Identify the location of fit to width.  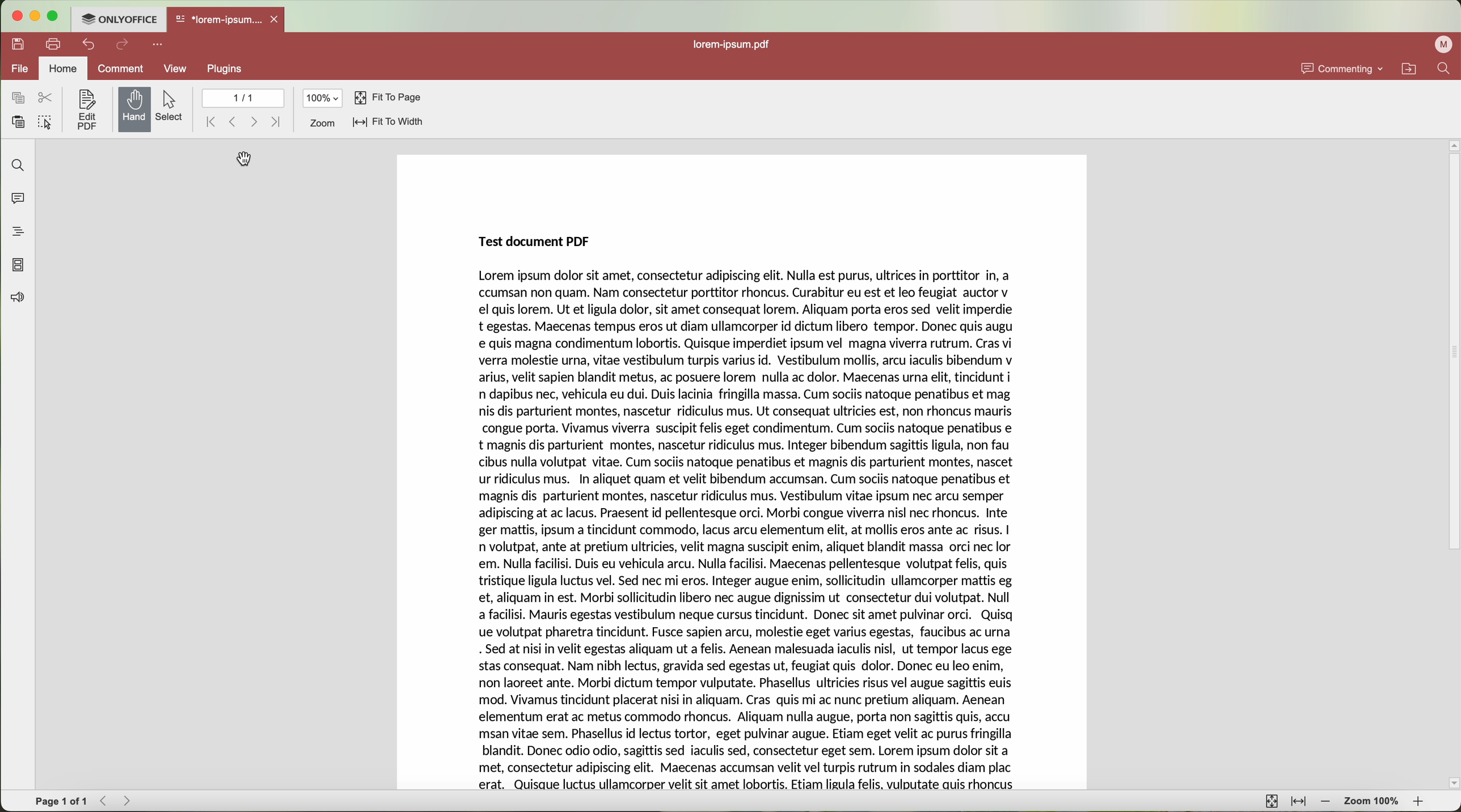
(390, 123).